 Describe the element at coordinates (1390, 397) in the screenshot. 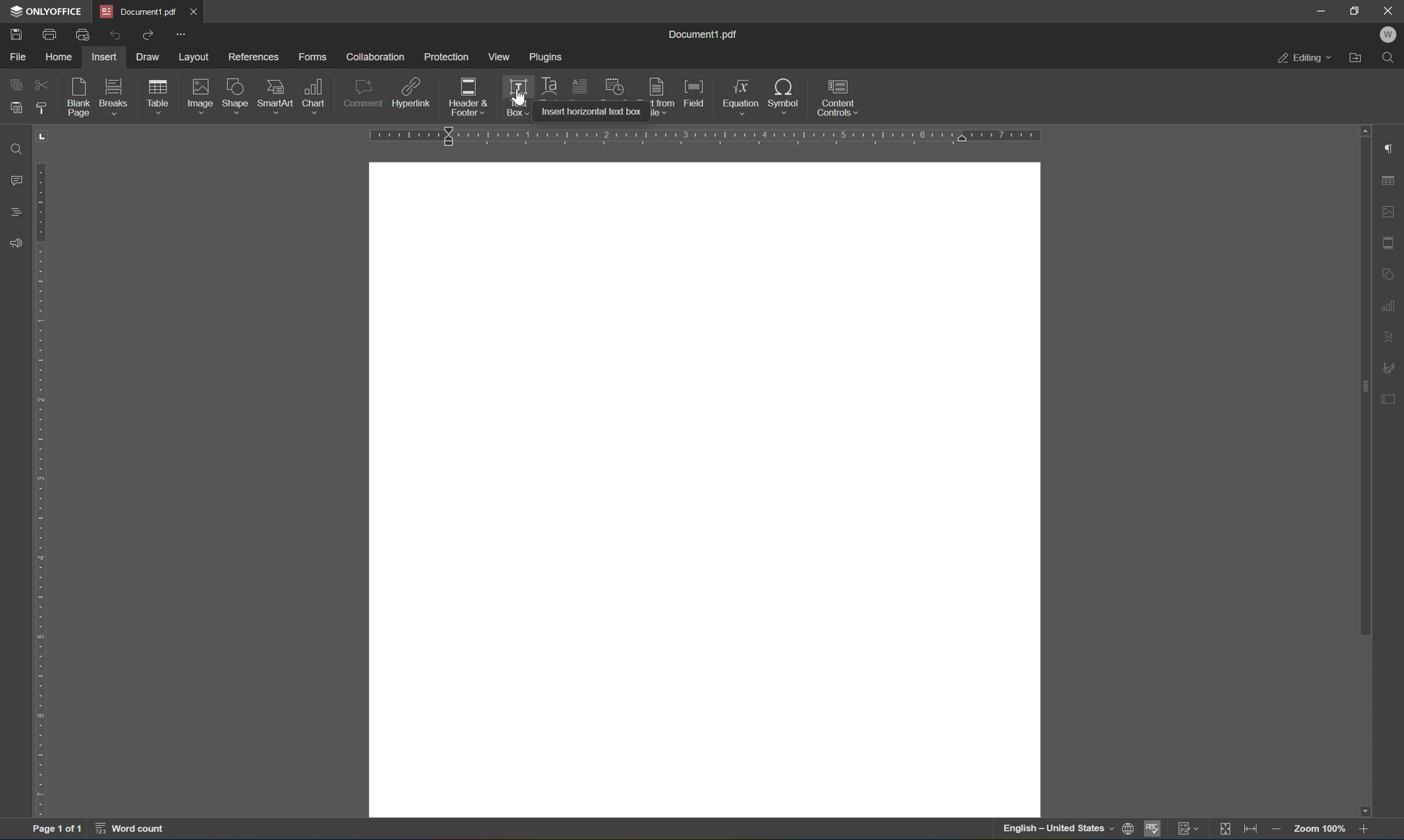

I see `Form settings` at that location.